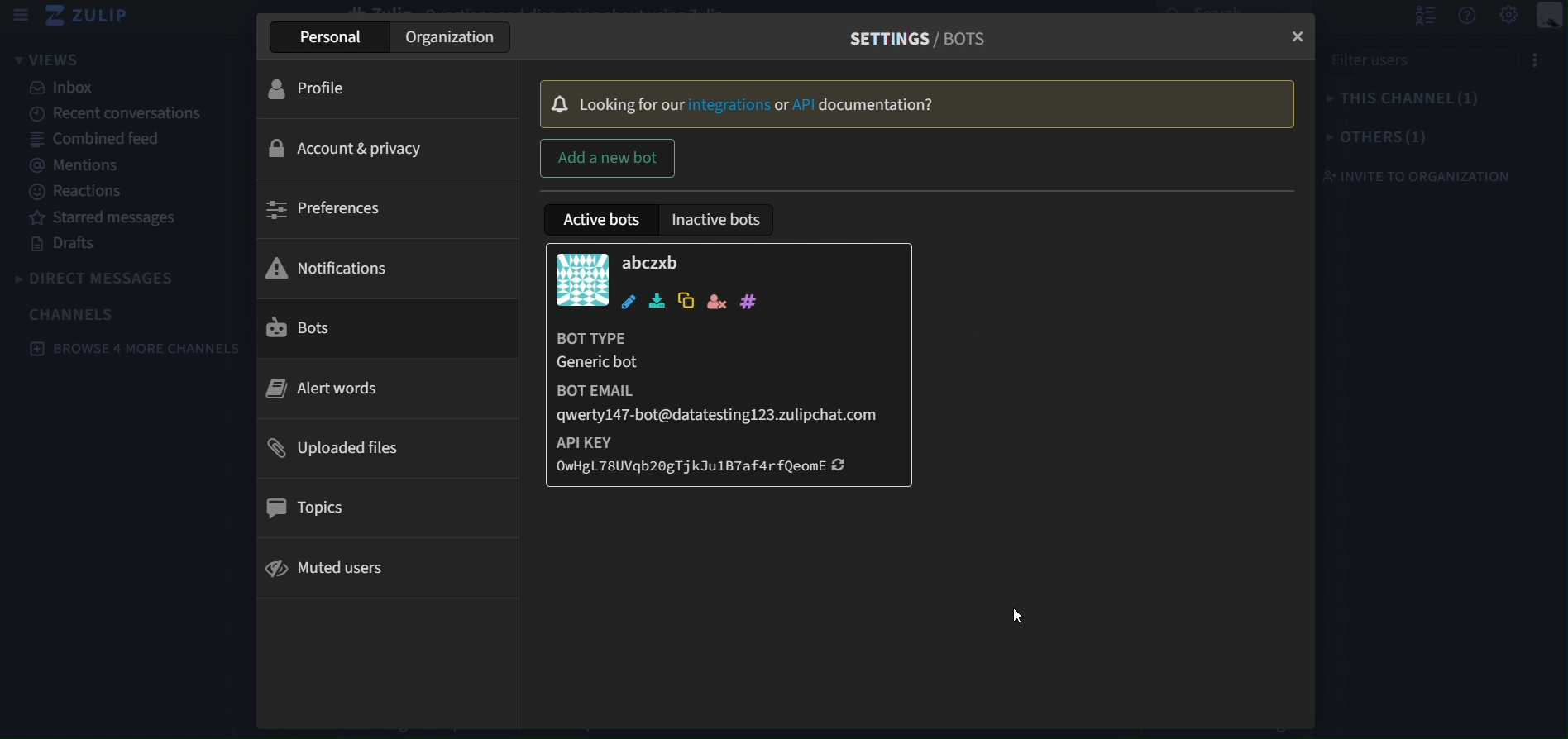  Describe the element at coordinates (22, 16) in the screenshot. I see `hide sidebar` at that location.